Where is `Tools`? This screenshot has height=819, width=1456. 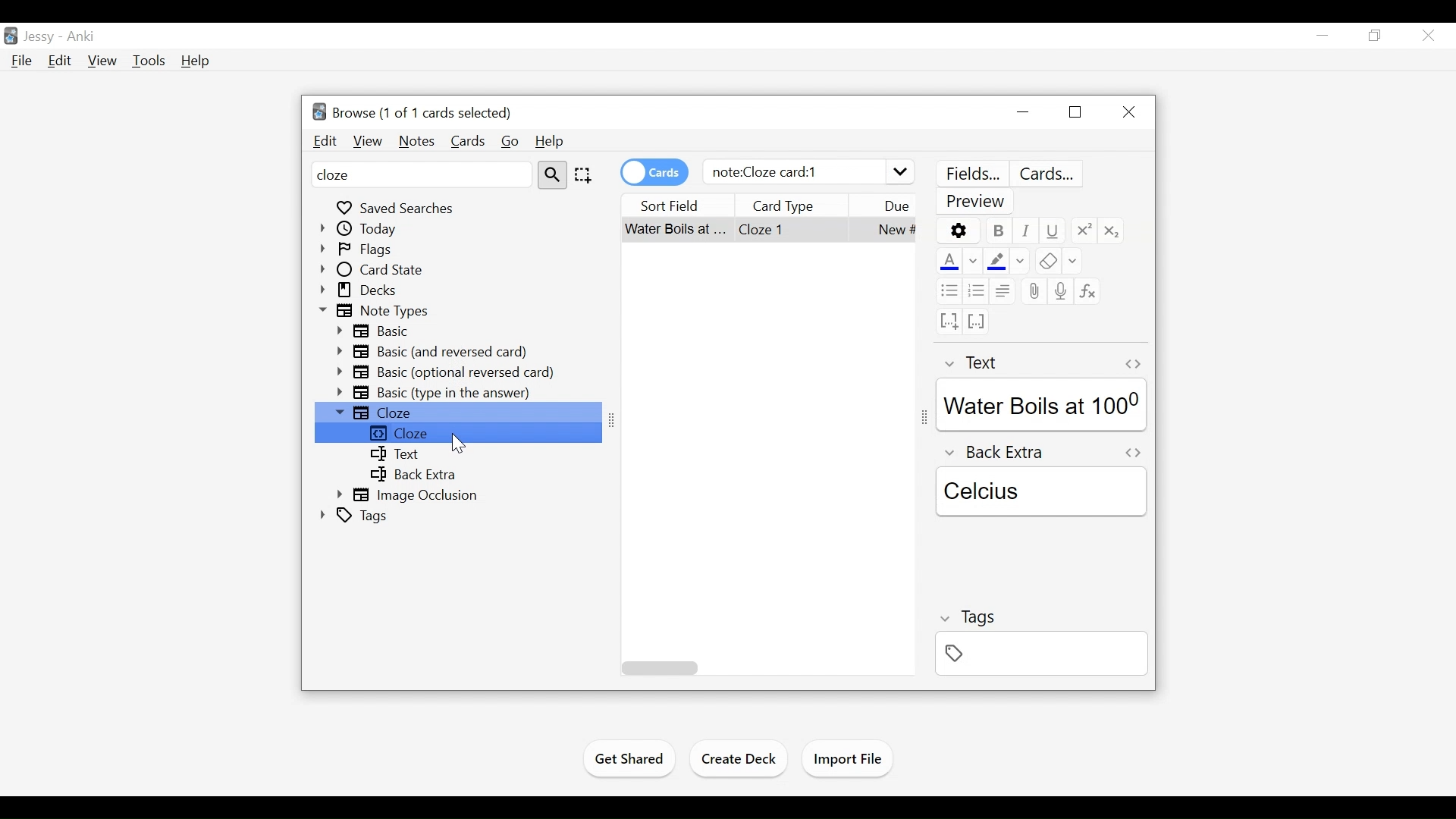 Tools is located at coordinates (149, 60).